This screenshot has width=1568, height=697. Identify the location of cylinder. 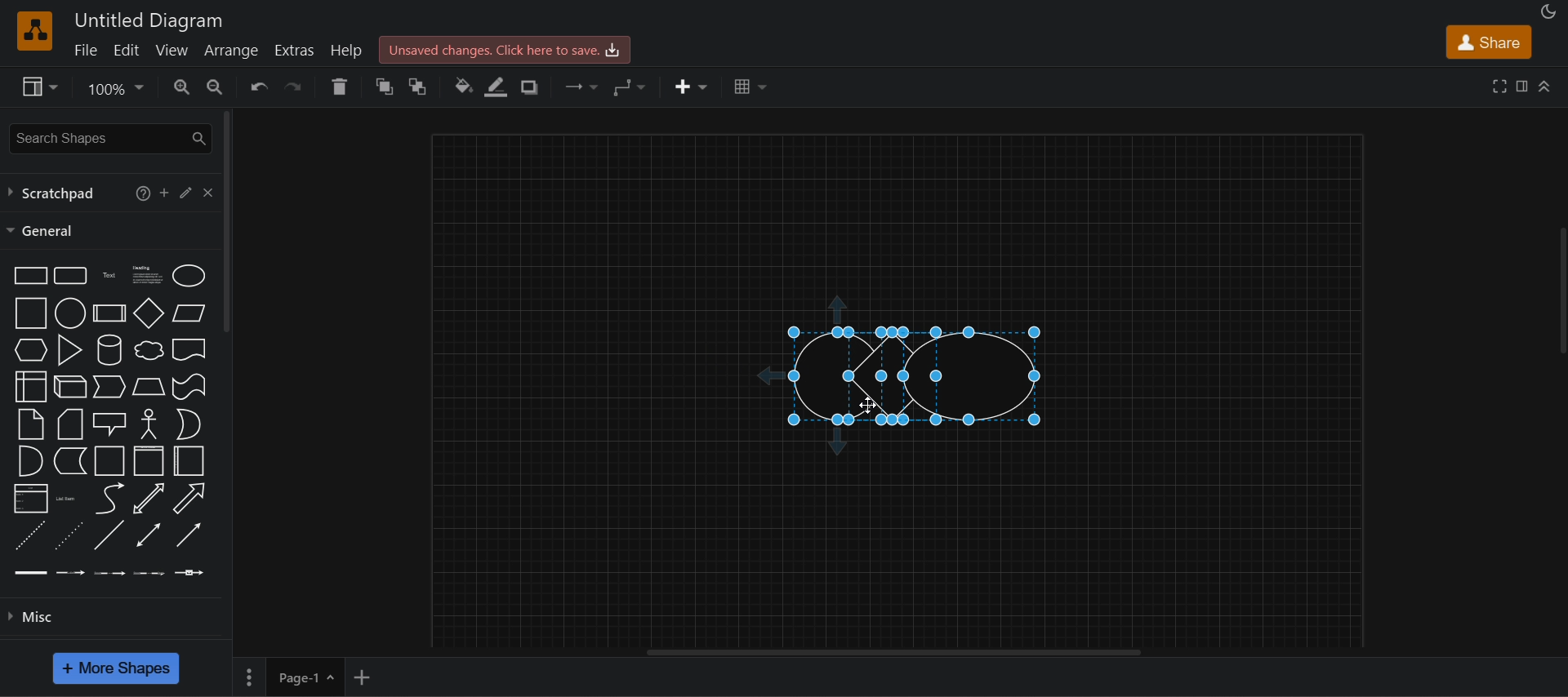
(108, 349).